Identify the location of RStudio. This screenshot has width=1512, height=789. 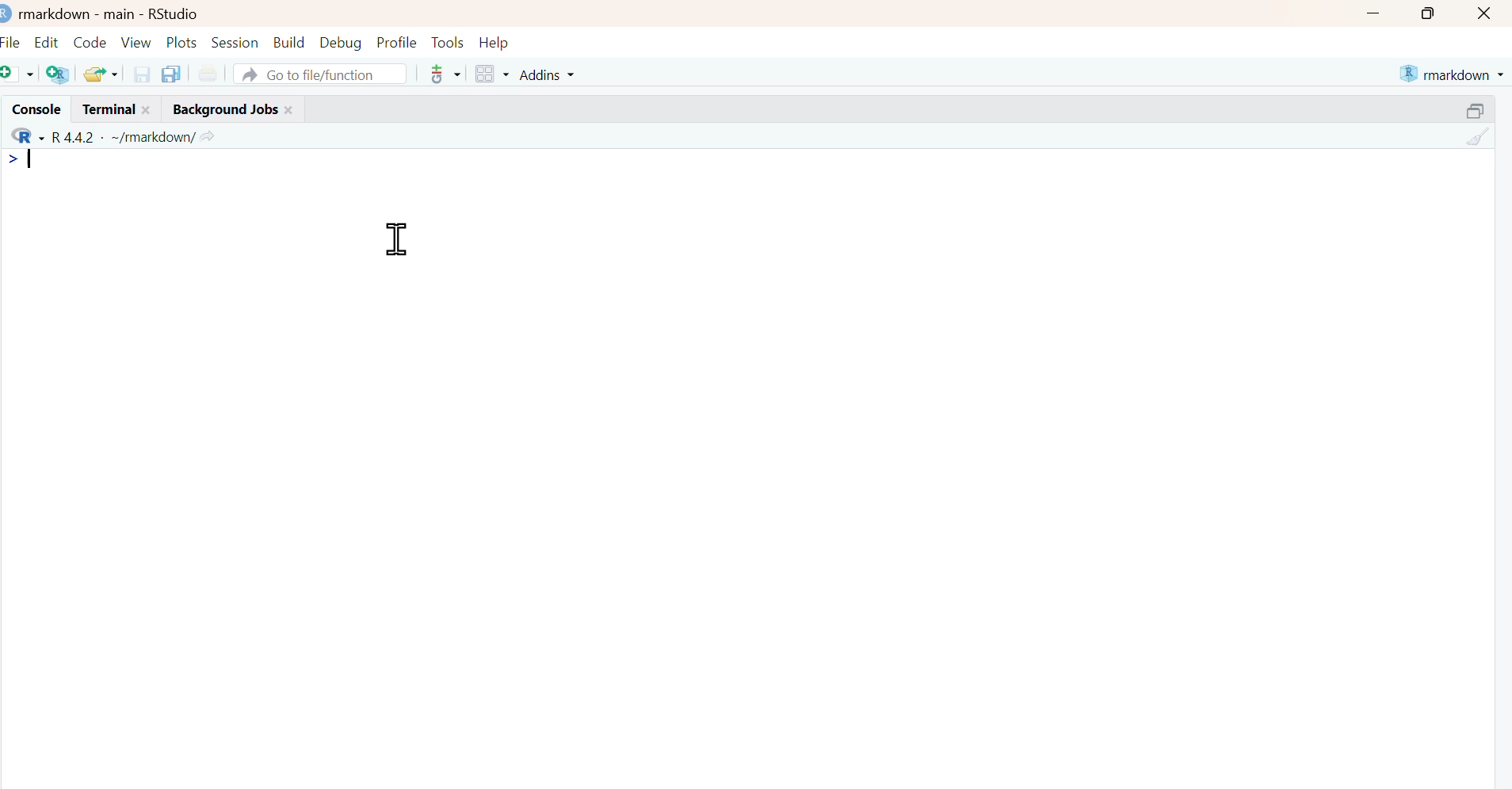
(174, 12).